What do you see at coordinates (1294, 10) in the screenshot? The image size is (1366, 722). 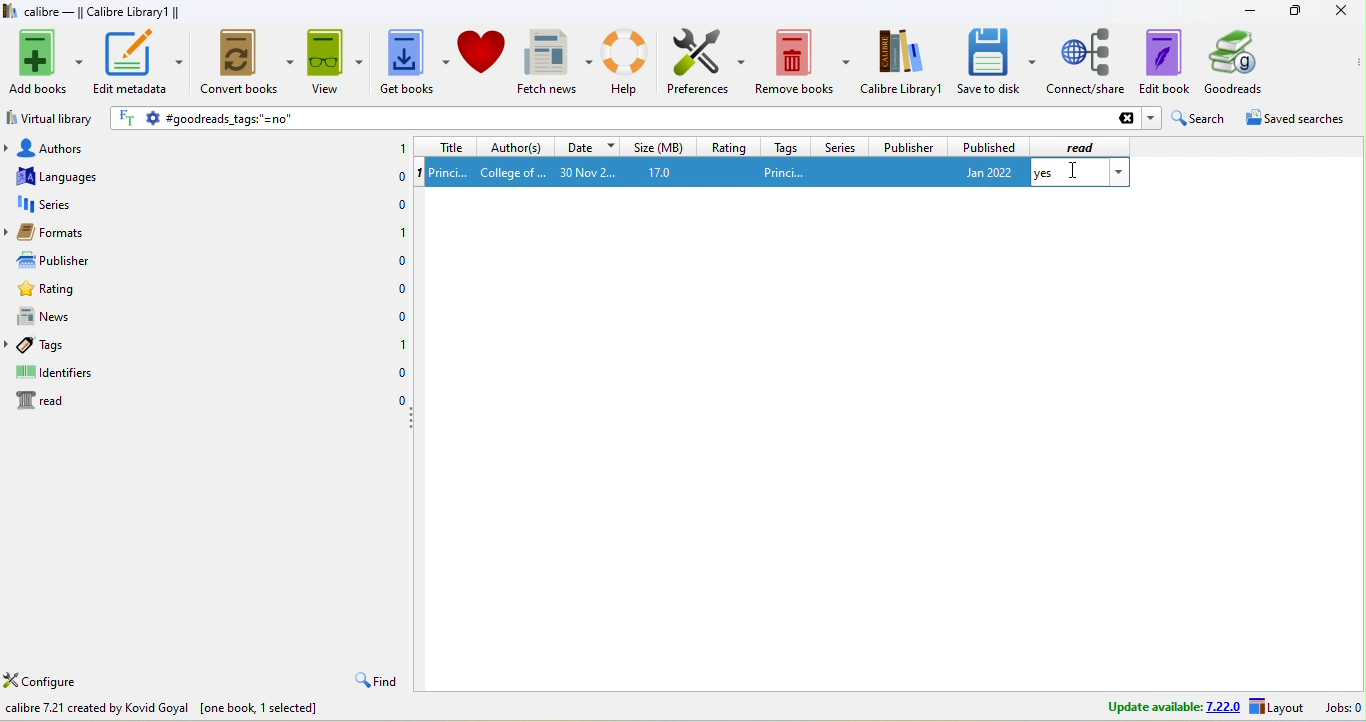 I see `resize` at bounding box center [1294, 10].